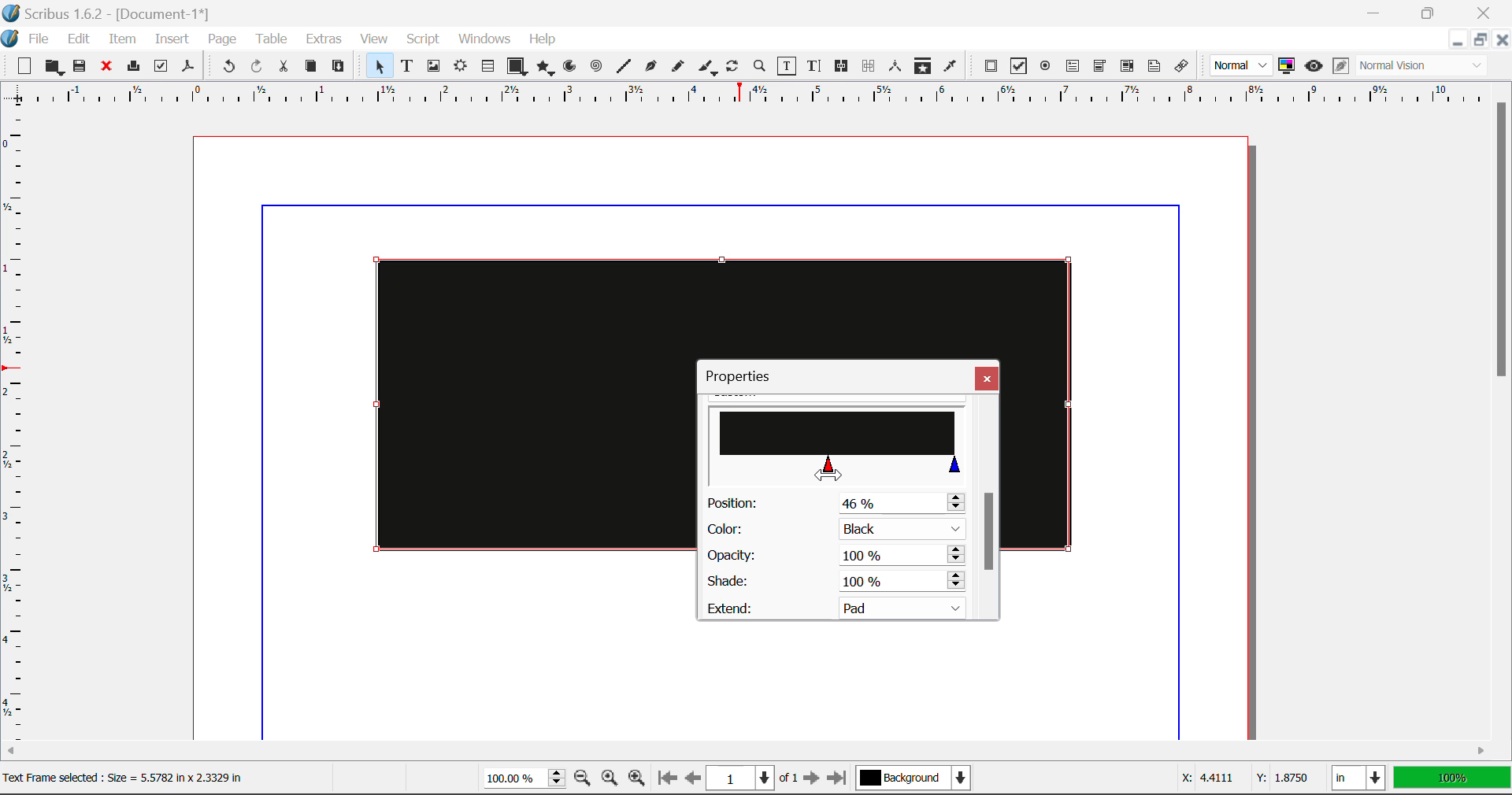  Describe the element at coordinates (487, 68) in the screenshot. I see `Tables` at that location.